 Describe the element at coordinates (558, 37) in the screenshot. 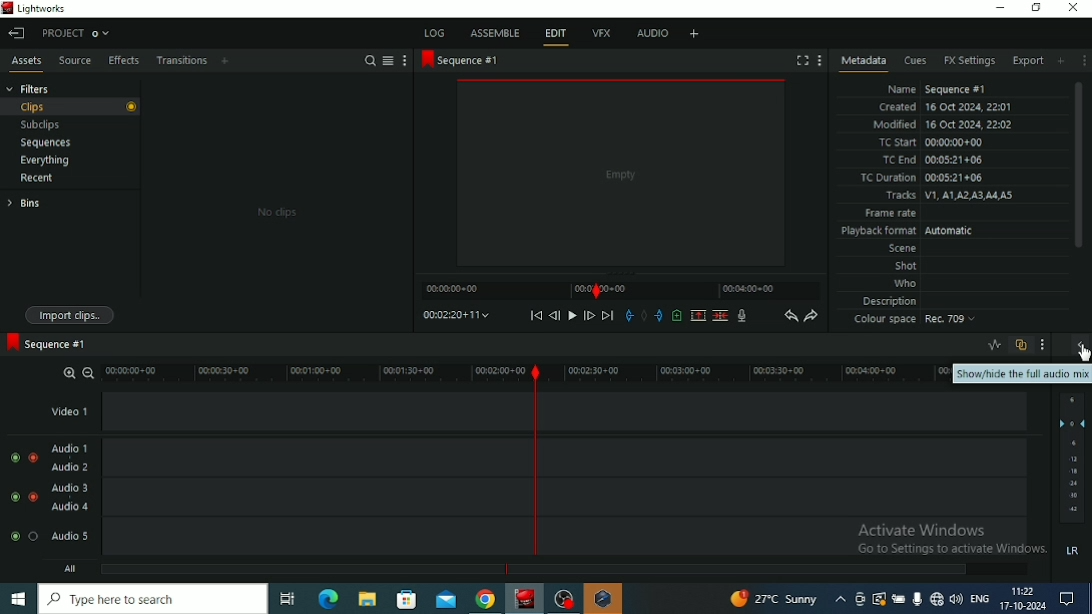

I see `EDIT` at that location.